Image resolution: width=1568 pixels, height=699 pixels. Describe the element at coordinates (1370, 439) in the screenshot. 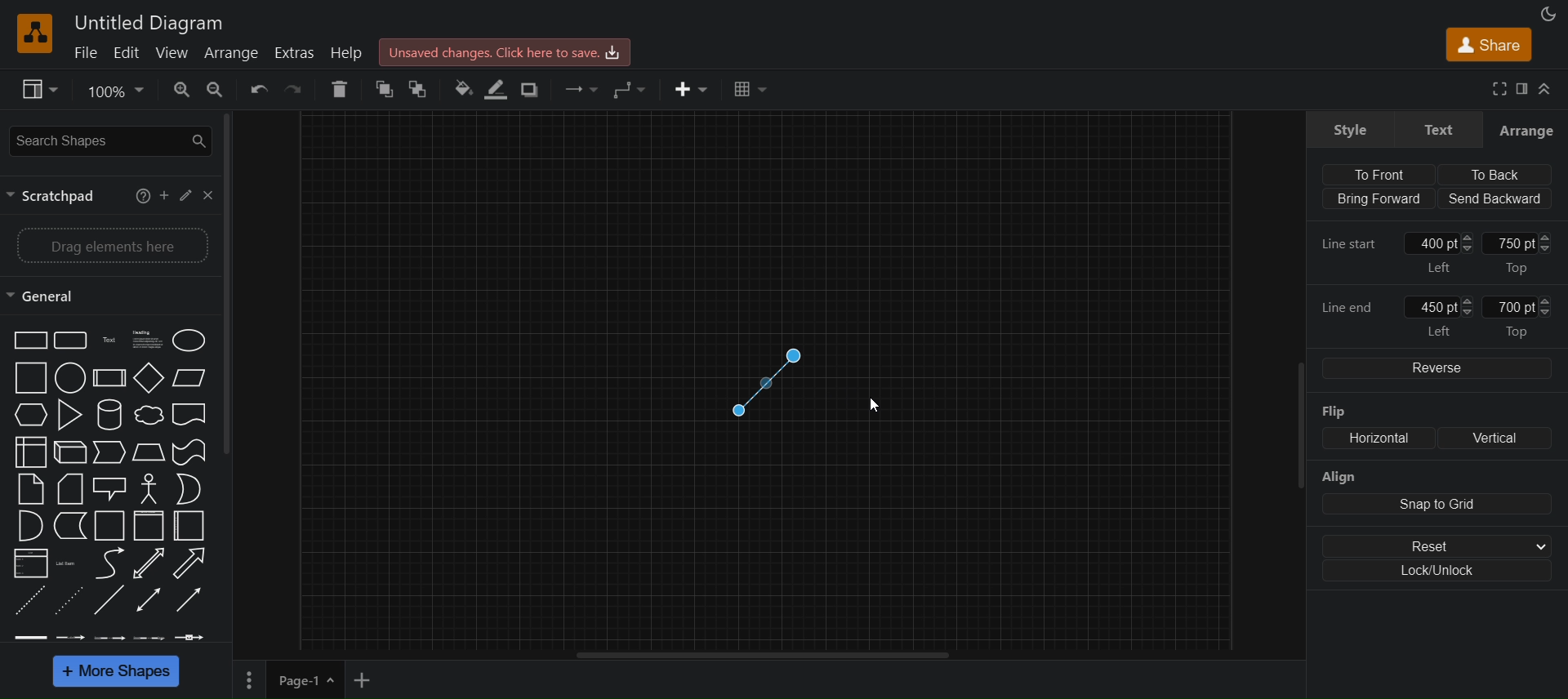

I see `horizontal` at that location.